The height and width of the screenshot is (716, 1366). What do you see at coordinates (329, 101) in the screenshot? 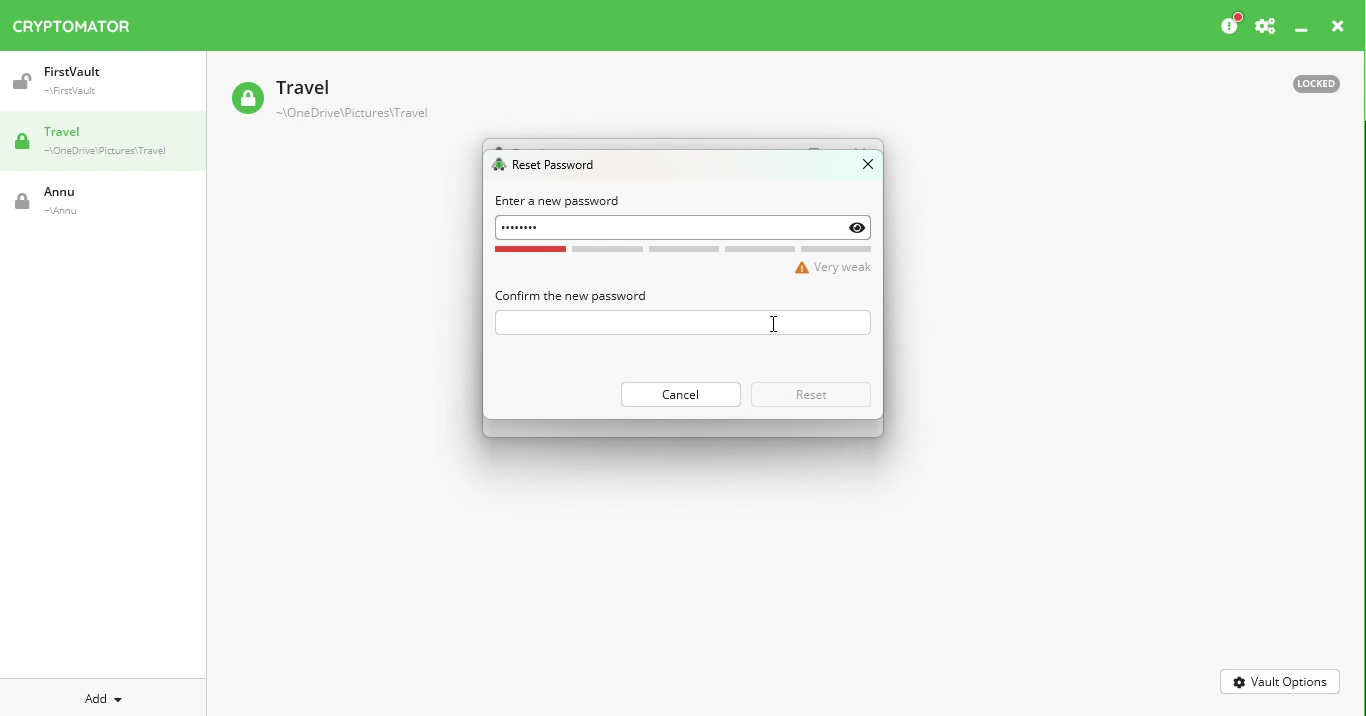
I see `Vault` at bounding box center [329, 101].